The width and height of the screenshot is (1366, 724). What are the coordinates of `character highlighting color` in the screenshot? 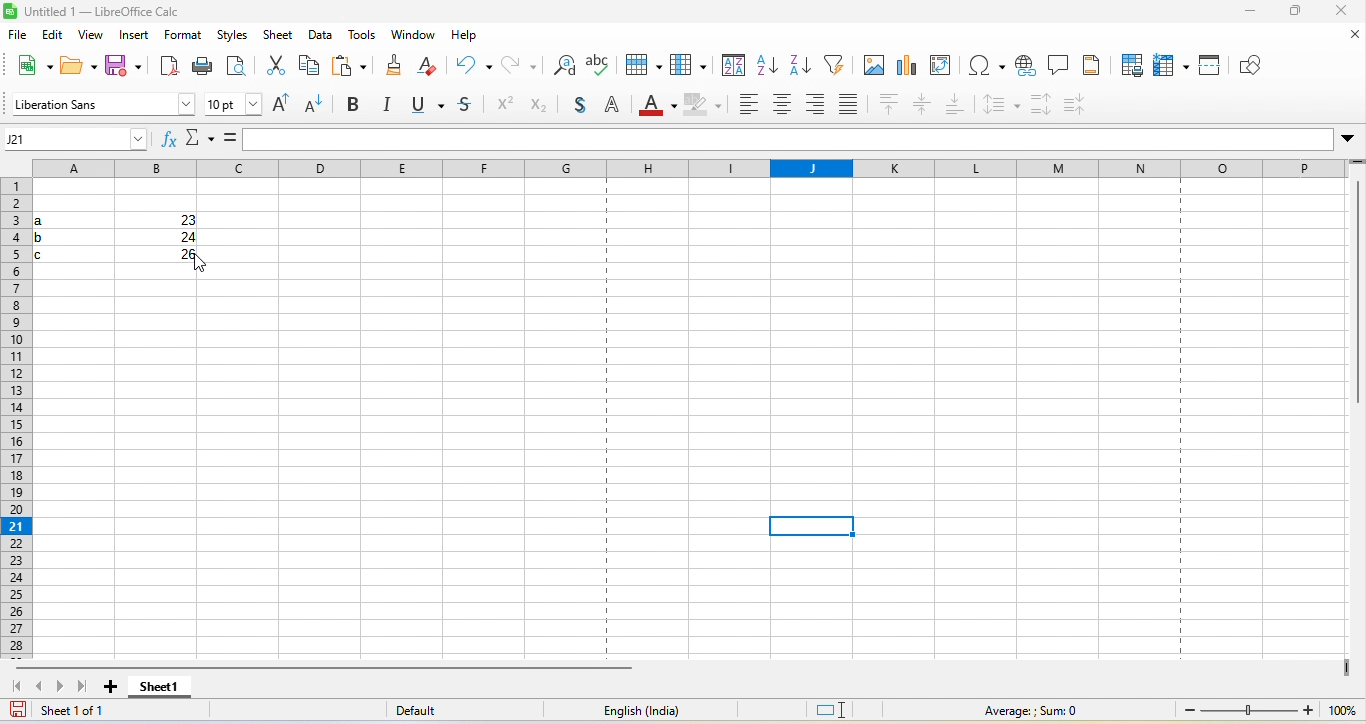 It's located at (701, 105).